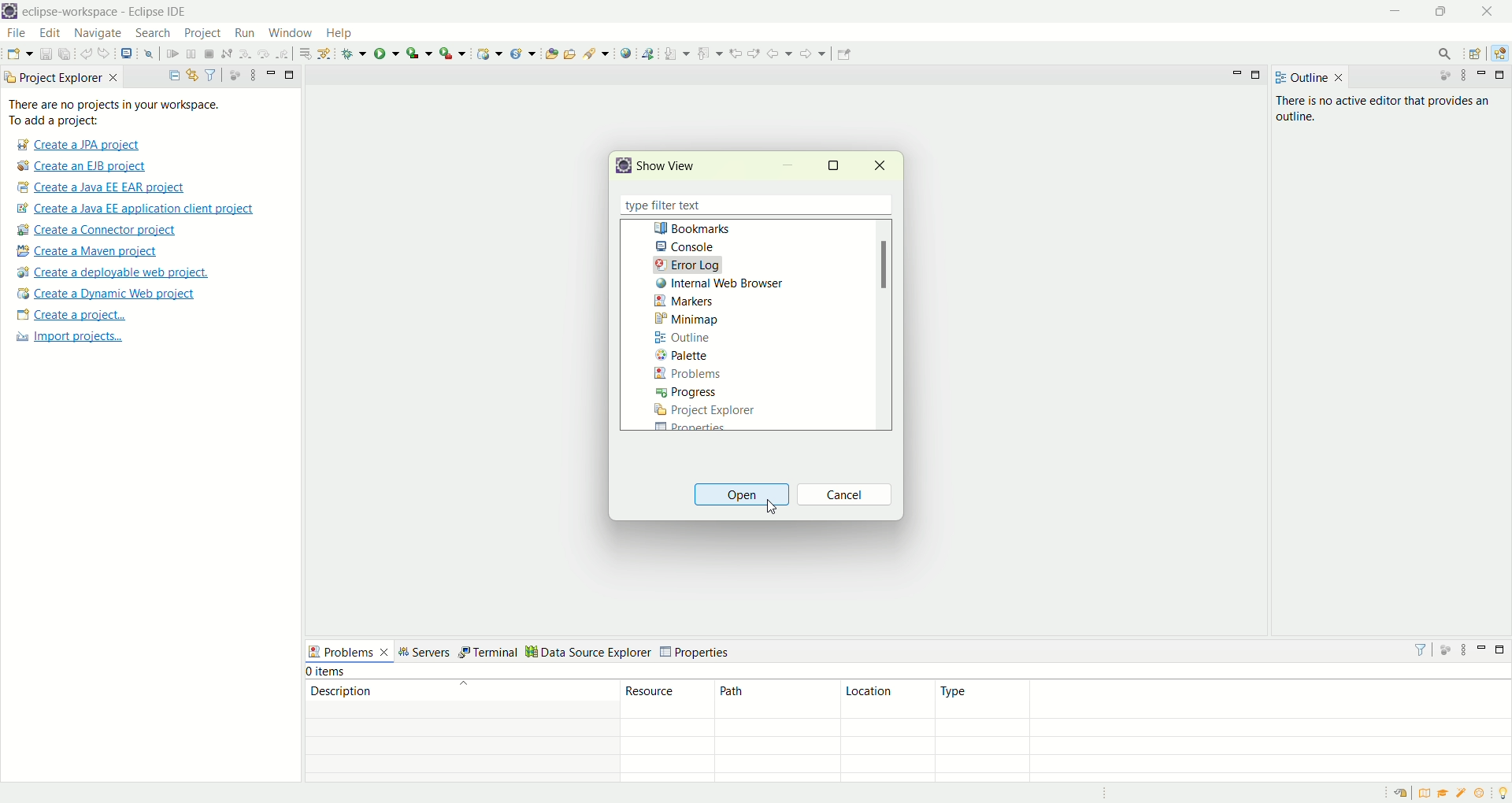 The image size is (1512, 803). What do you see at coordinates (1480, 794) in the screenshot?
I see `what's new` at bounding box center [1480, 794].